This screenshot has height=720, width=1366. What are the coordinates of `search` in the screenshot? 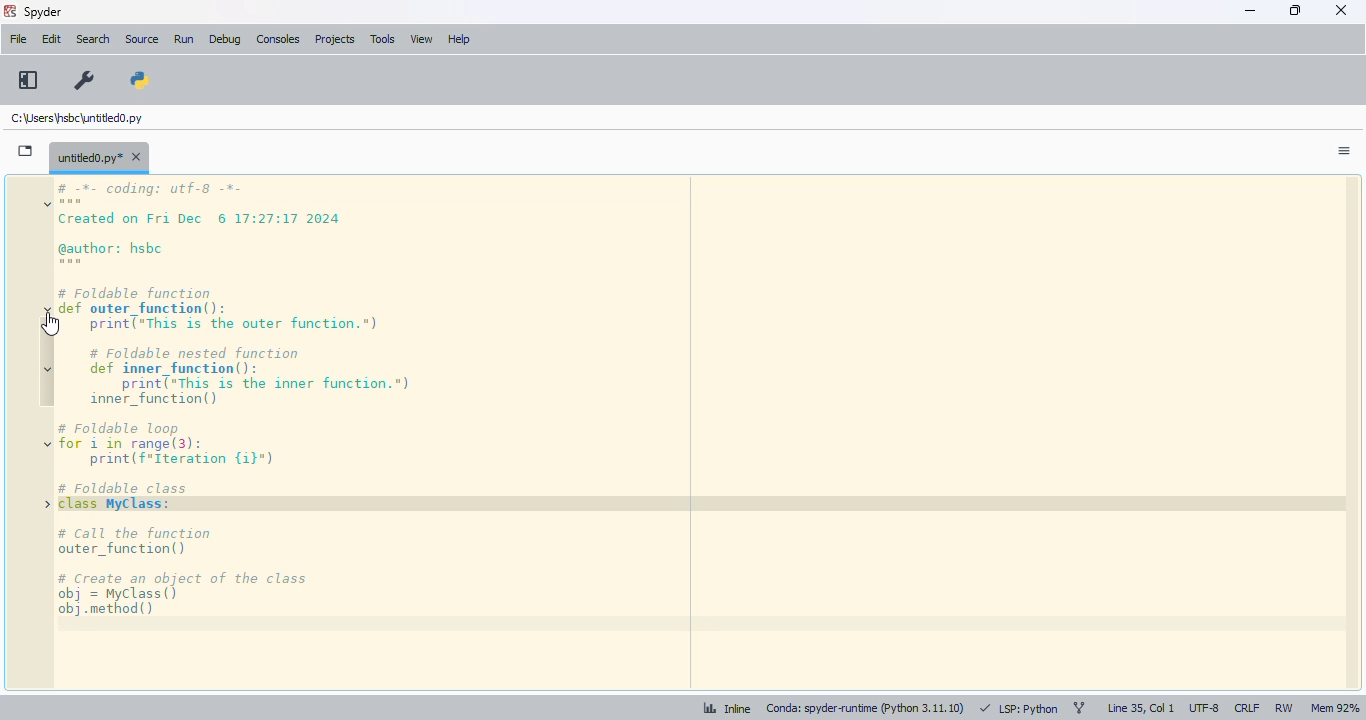 It's located at (93, 39).